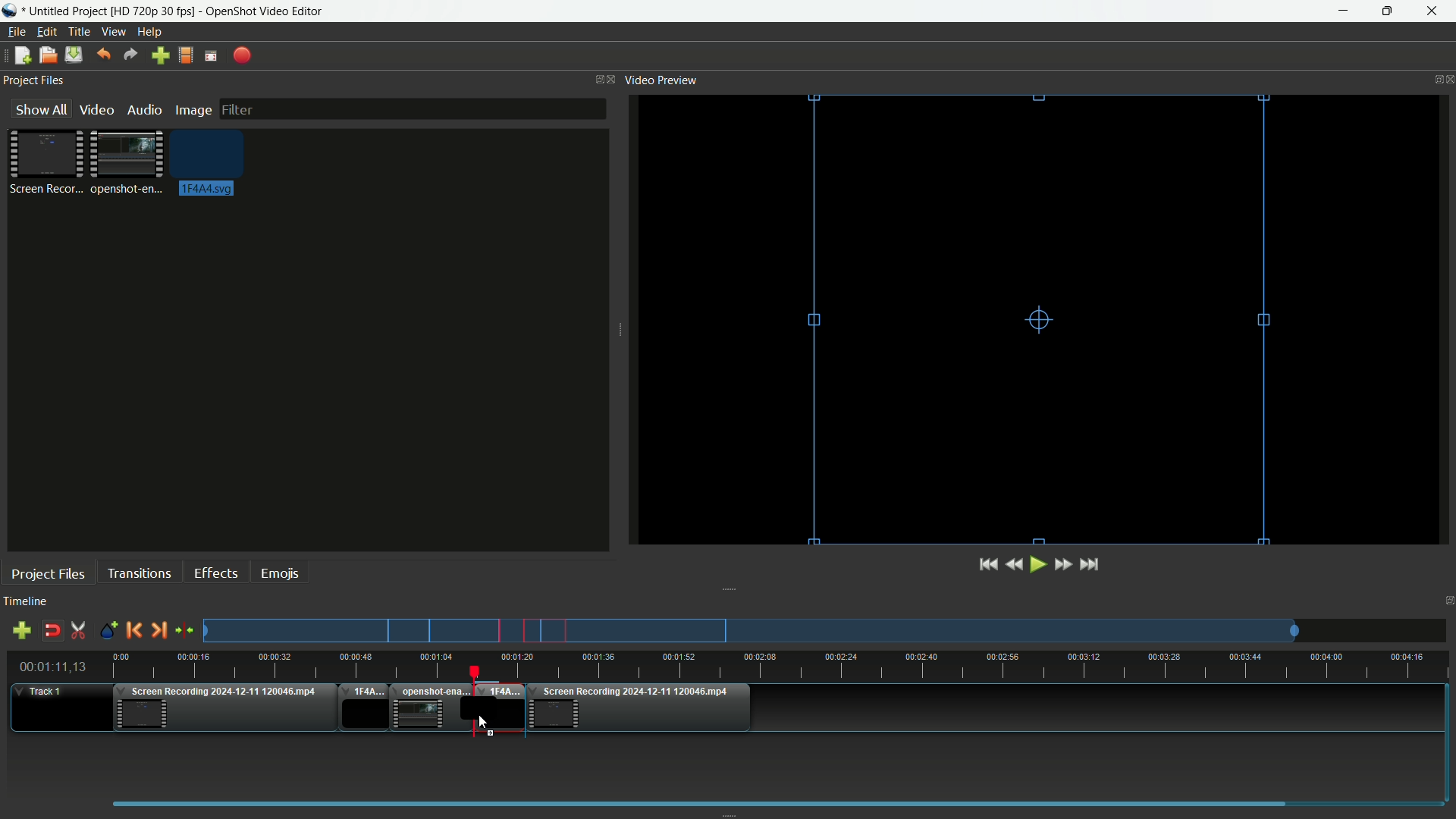 The height and width of the screenshot is (819, 1456). Describe the element at coordinates (1090, 564) in the screenshot. I see `Jump to end` at that location.